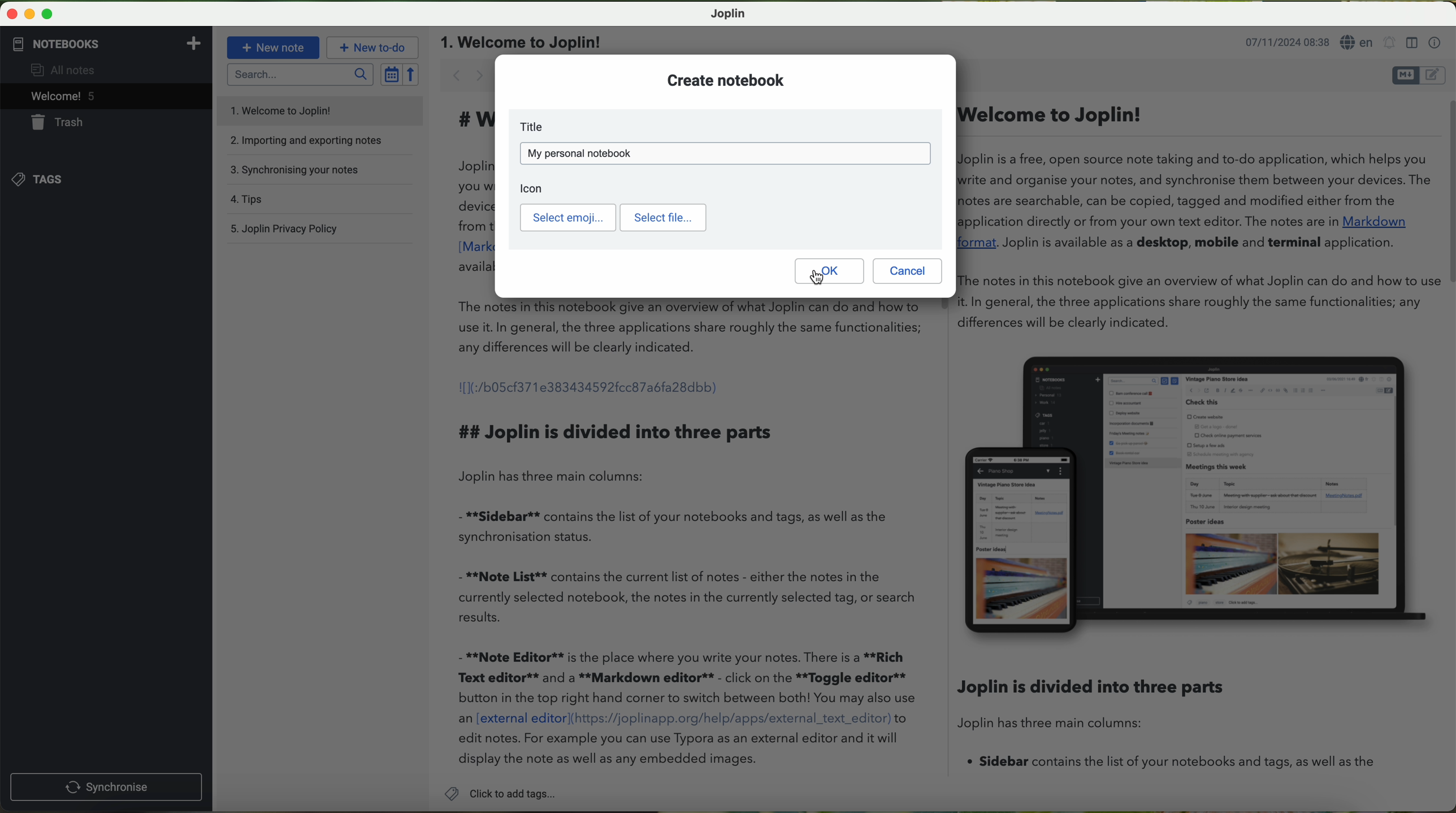 The height and width of the screenshot is (813, 1456). I want to click on language, so click(1357, 44).